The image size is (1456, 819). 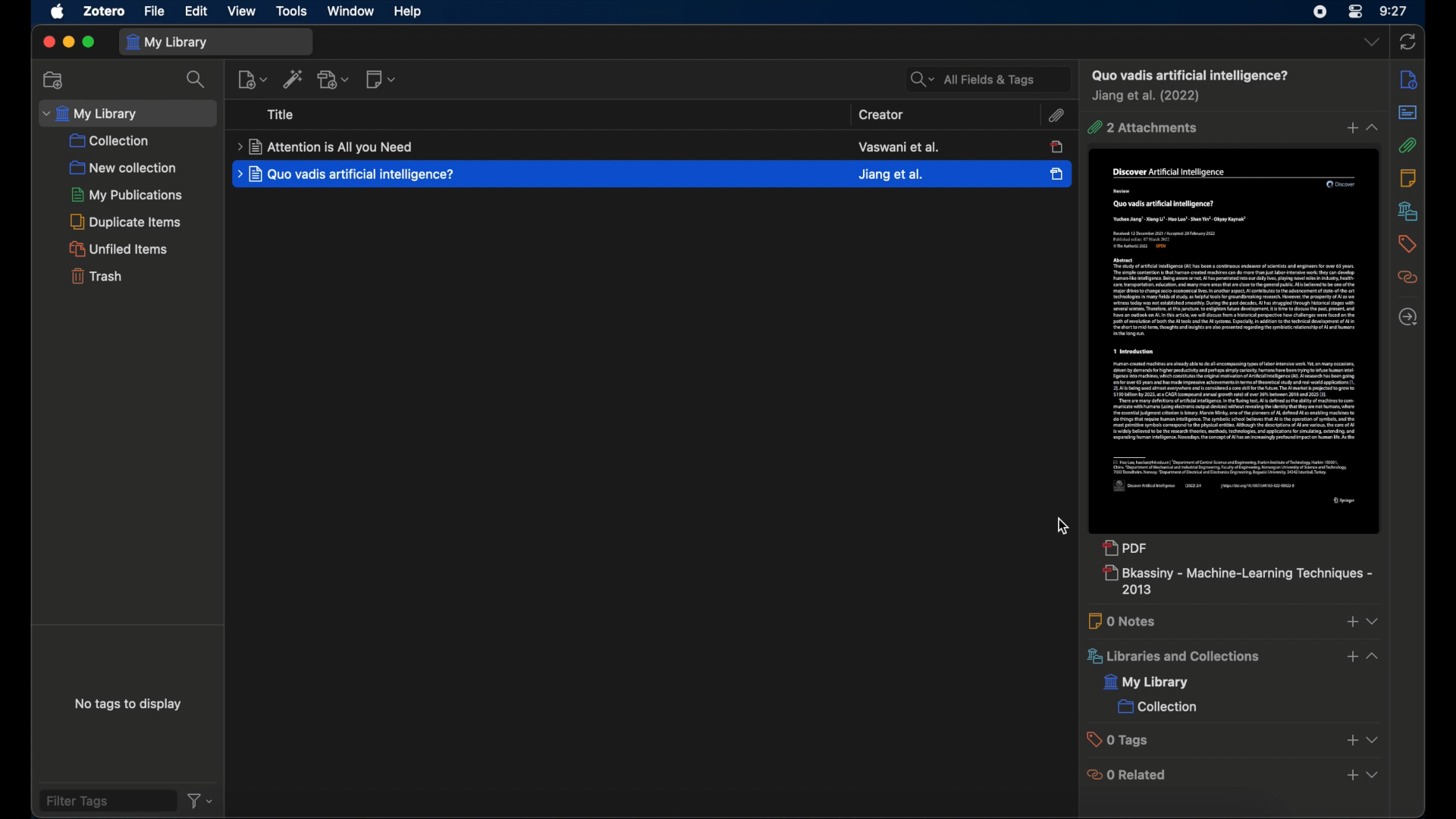 I want to click on file, so click(x=155, y=11).